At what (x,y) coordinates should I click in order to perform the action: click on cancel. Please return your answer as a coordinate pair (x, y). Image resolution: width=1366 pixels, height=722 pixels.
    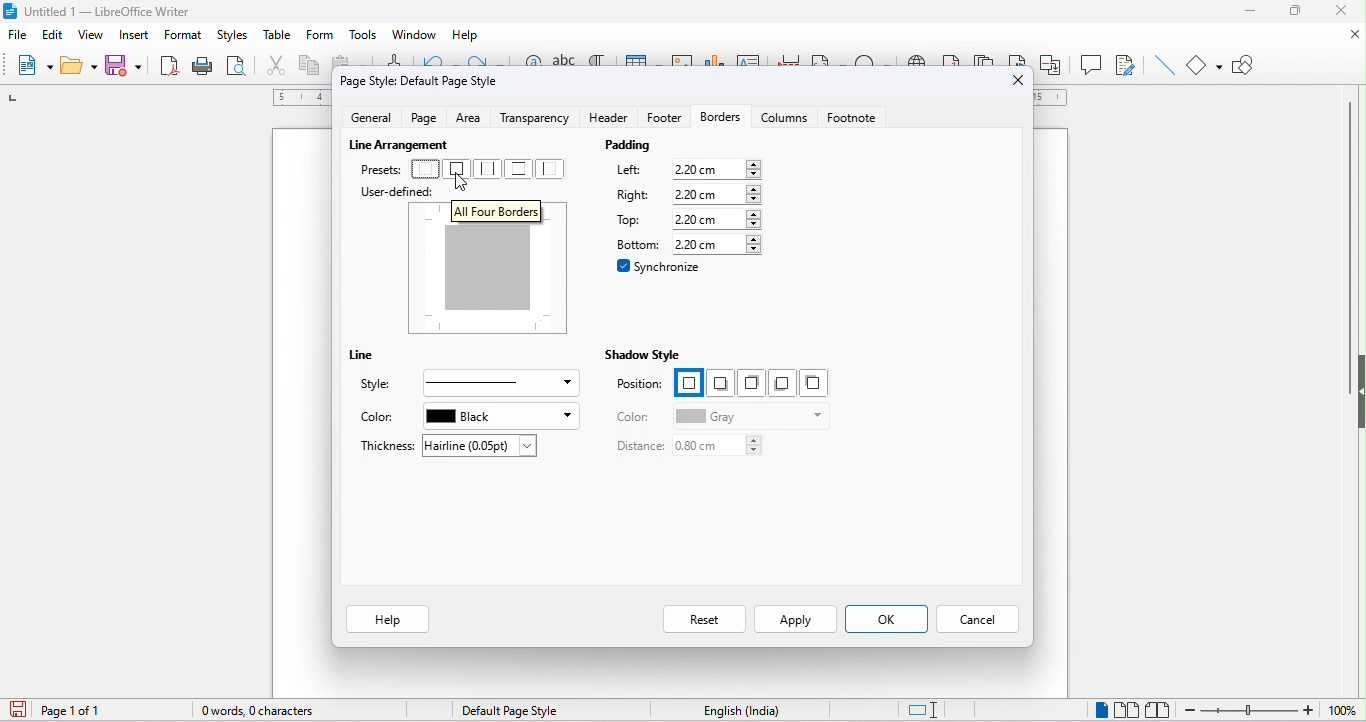
    Looking at the image, I should click on (981, 618).